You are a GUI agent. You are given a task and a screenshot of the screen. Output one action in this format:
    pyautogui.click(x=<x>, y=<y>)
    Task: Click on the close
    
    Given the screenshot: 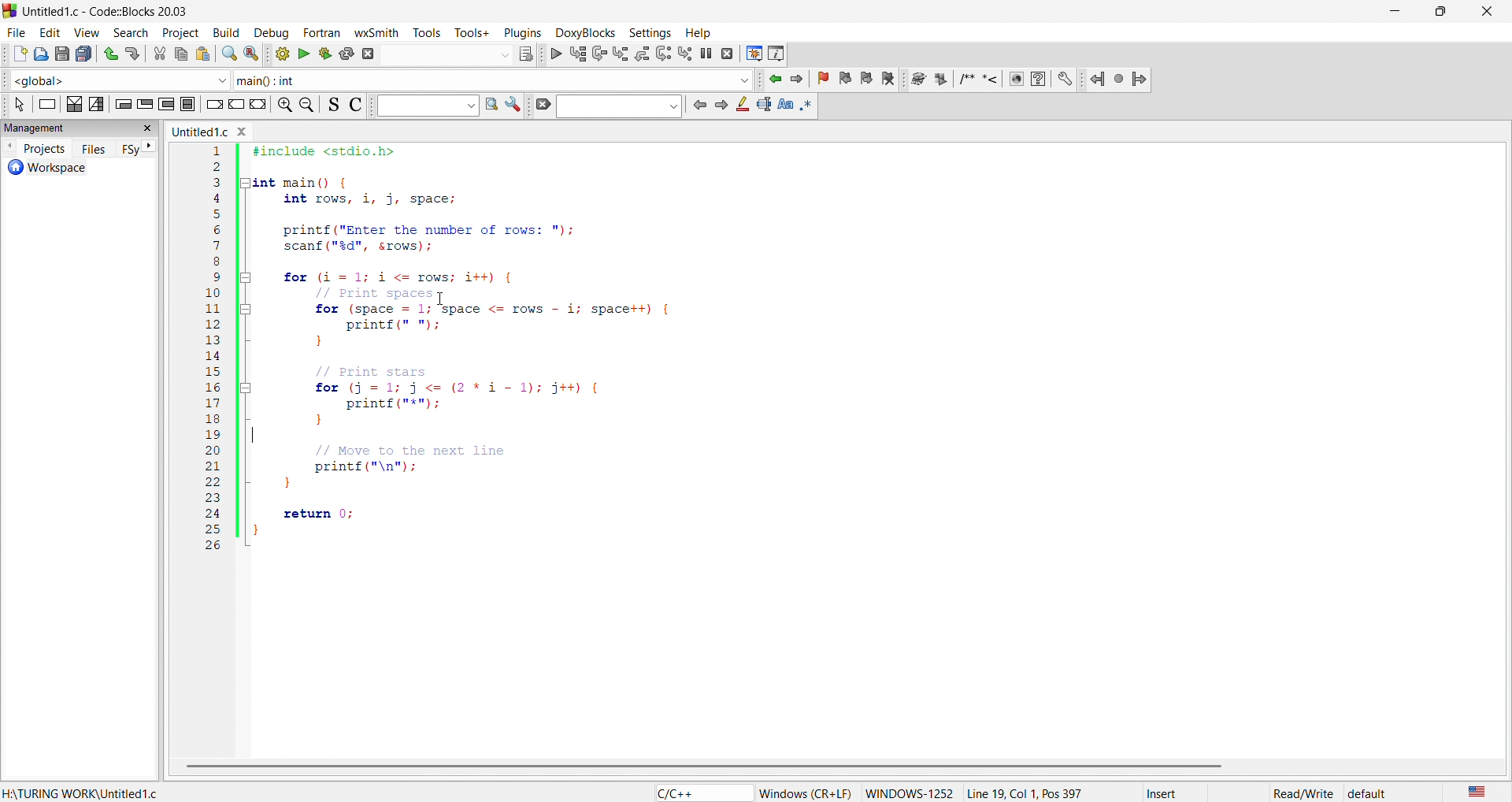 What is the action you would take?
    pyautogui.click(x=150, y=128)
    